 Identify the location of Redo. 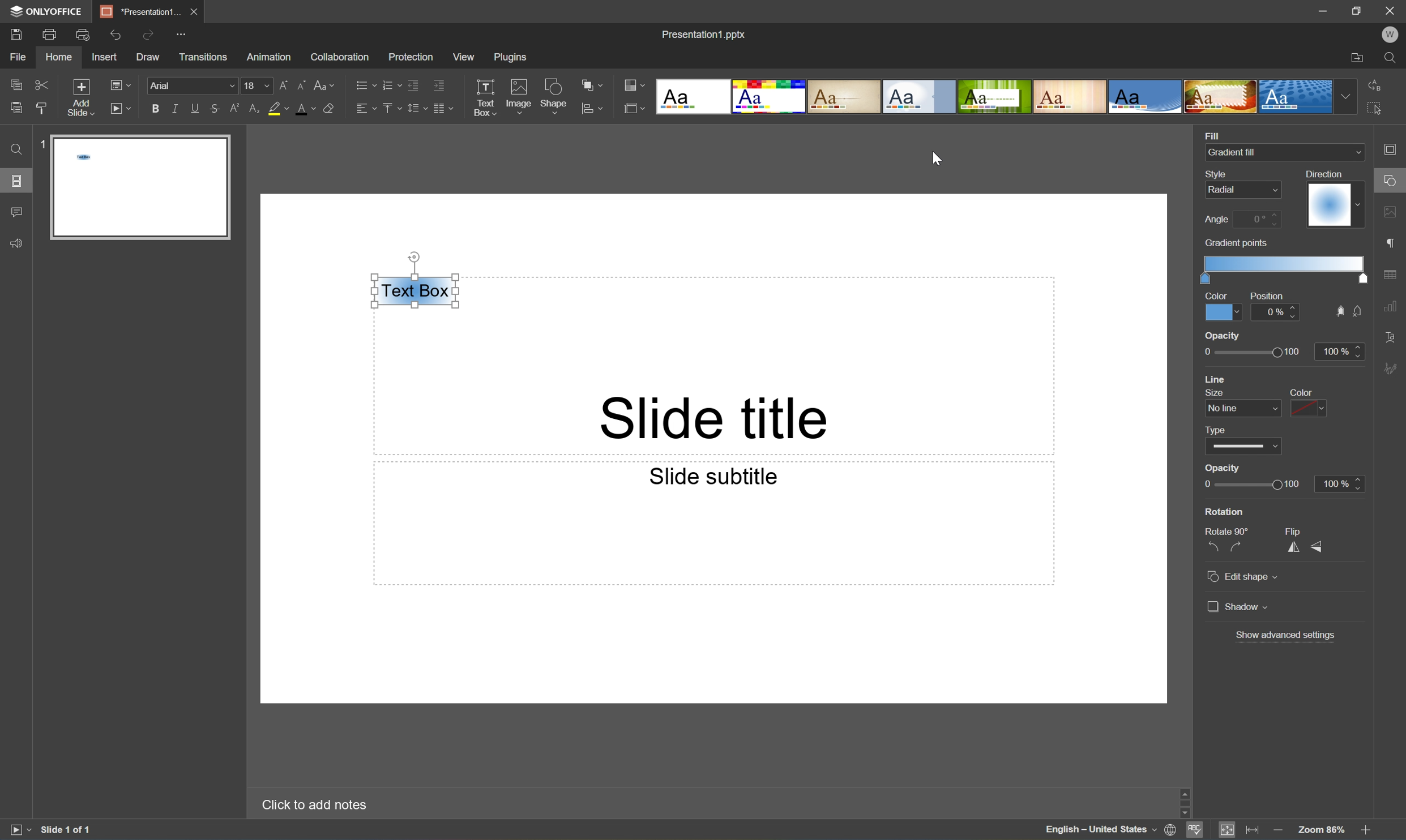
(148, 33).